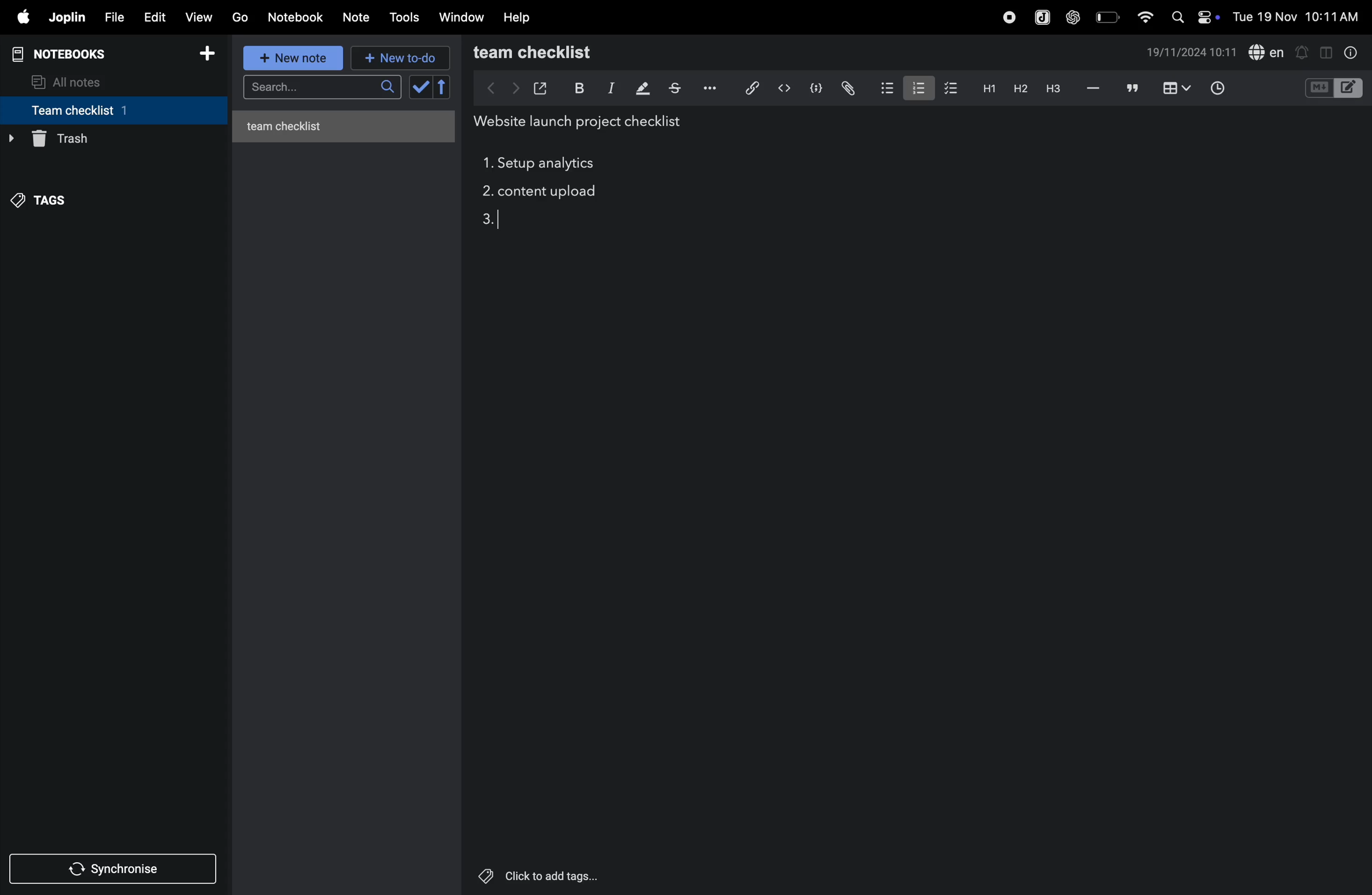 The width and height of the screenshot is (1372, 895). Describe the element at coordinates (348, 123) in the screenshot. I see `untitled` at that location.